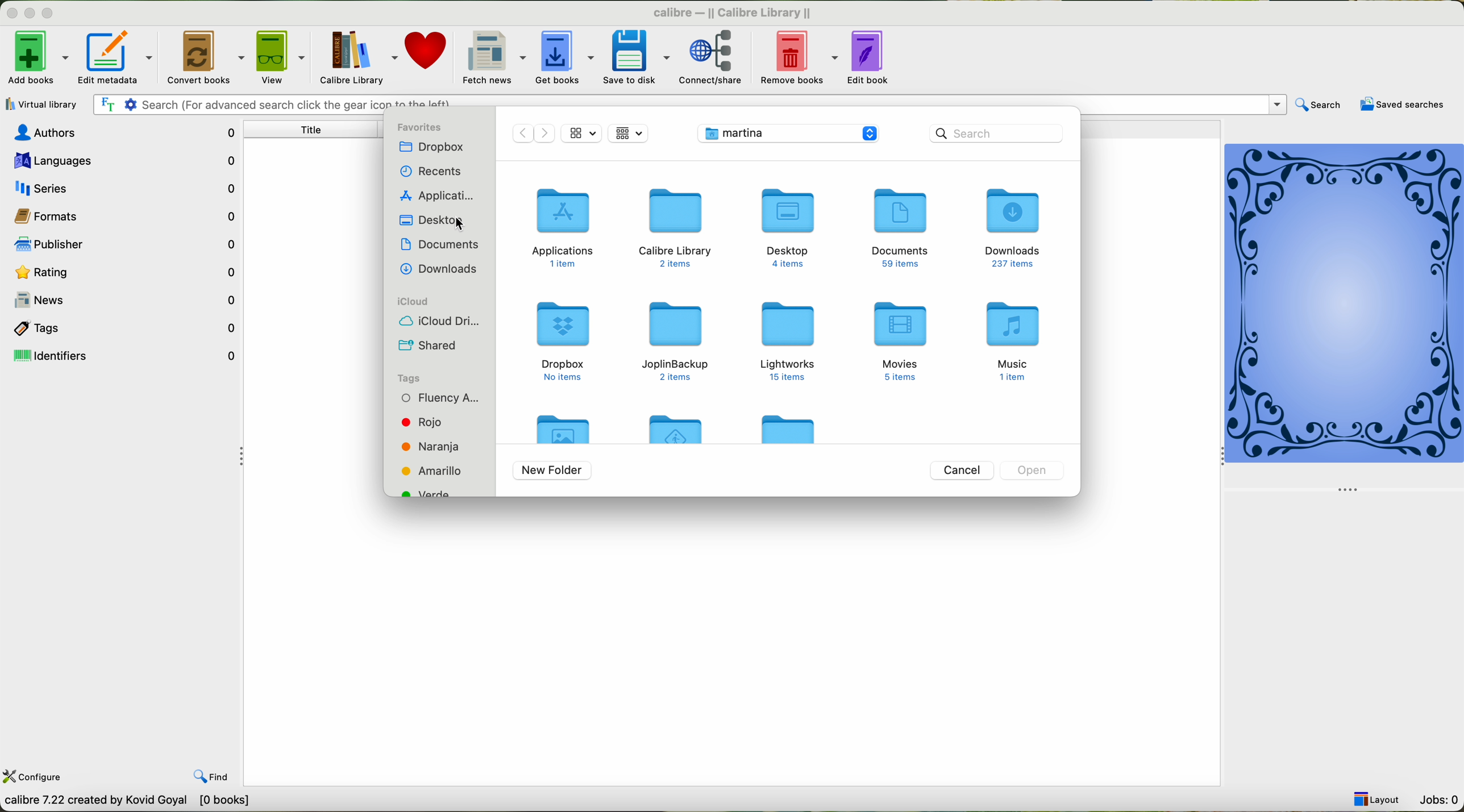  Describe the element at coordinates (431, 169) in the screenshot. I see `recents` at that location.